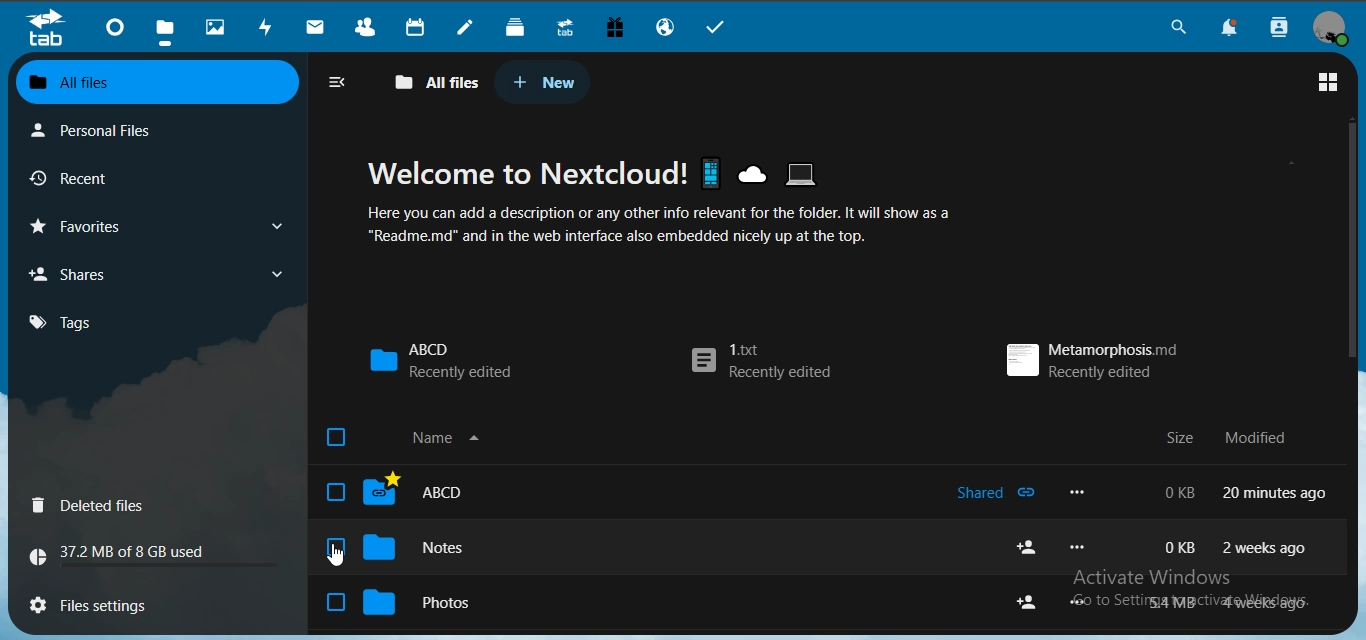 The image size is (1366, 640). What do you see at coordinates (566, 26) in the screenshot?
I see `upgrade` at bounding box center [566, 26].